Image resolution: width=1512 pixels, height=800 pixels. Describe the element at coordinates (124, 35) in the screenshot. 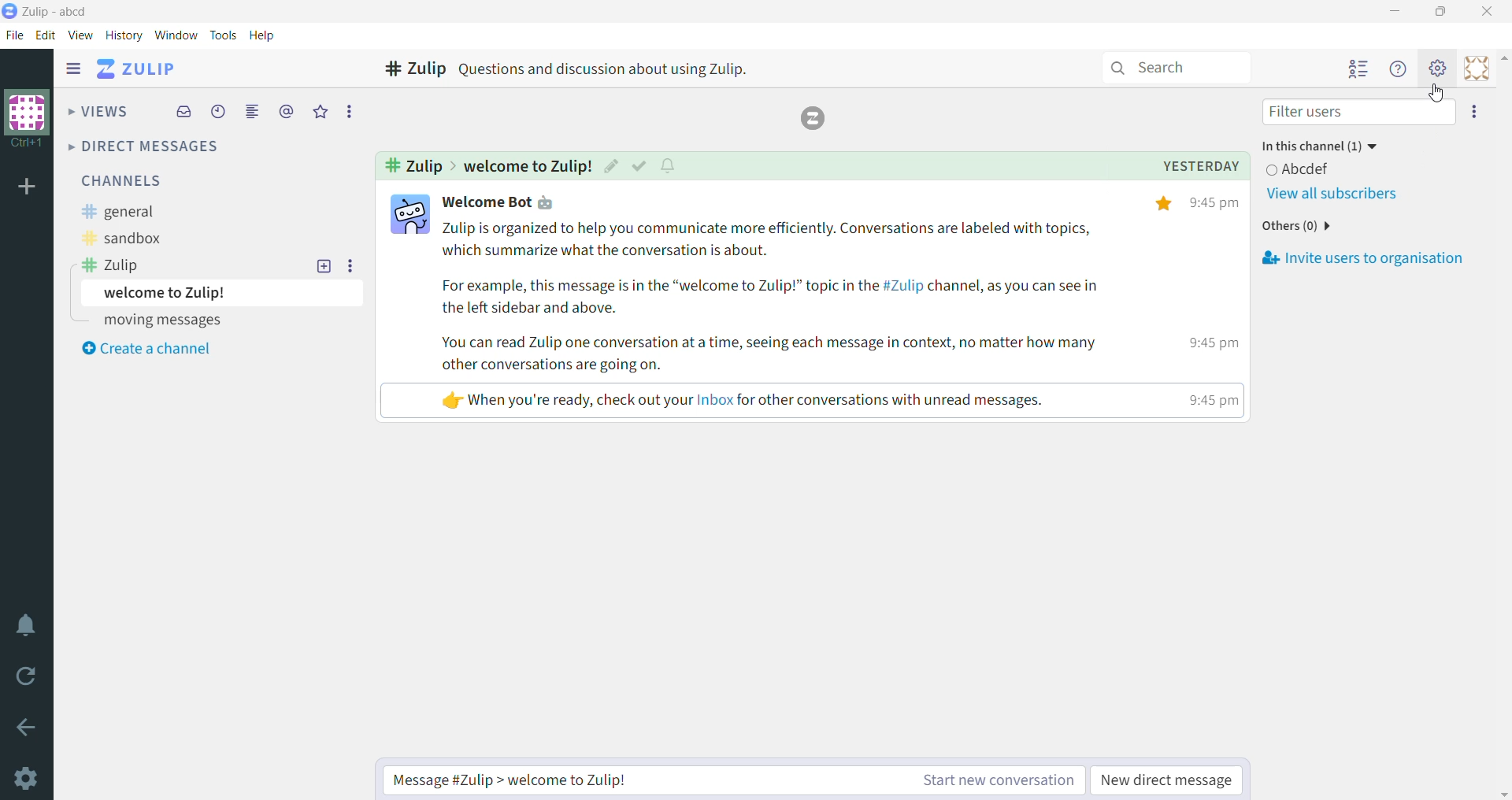

I see `History` at that location.